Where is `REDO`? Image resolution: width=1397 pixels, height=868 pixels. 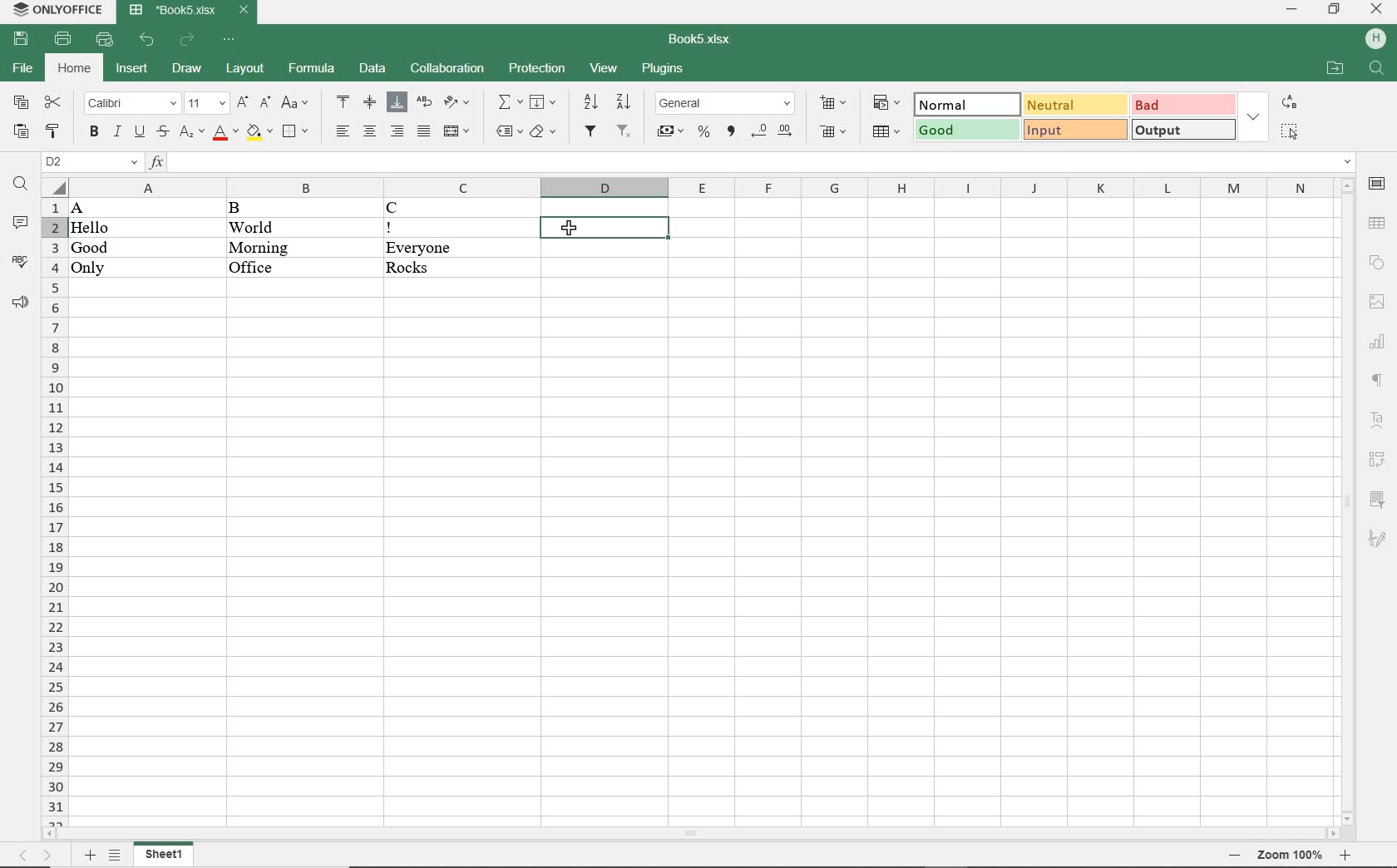 REDO is located at coordinates (187, 40).